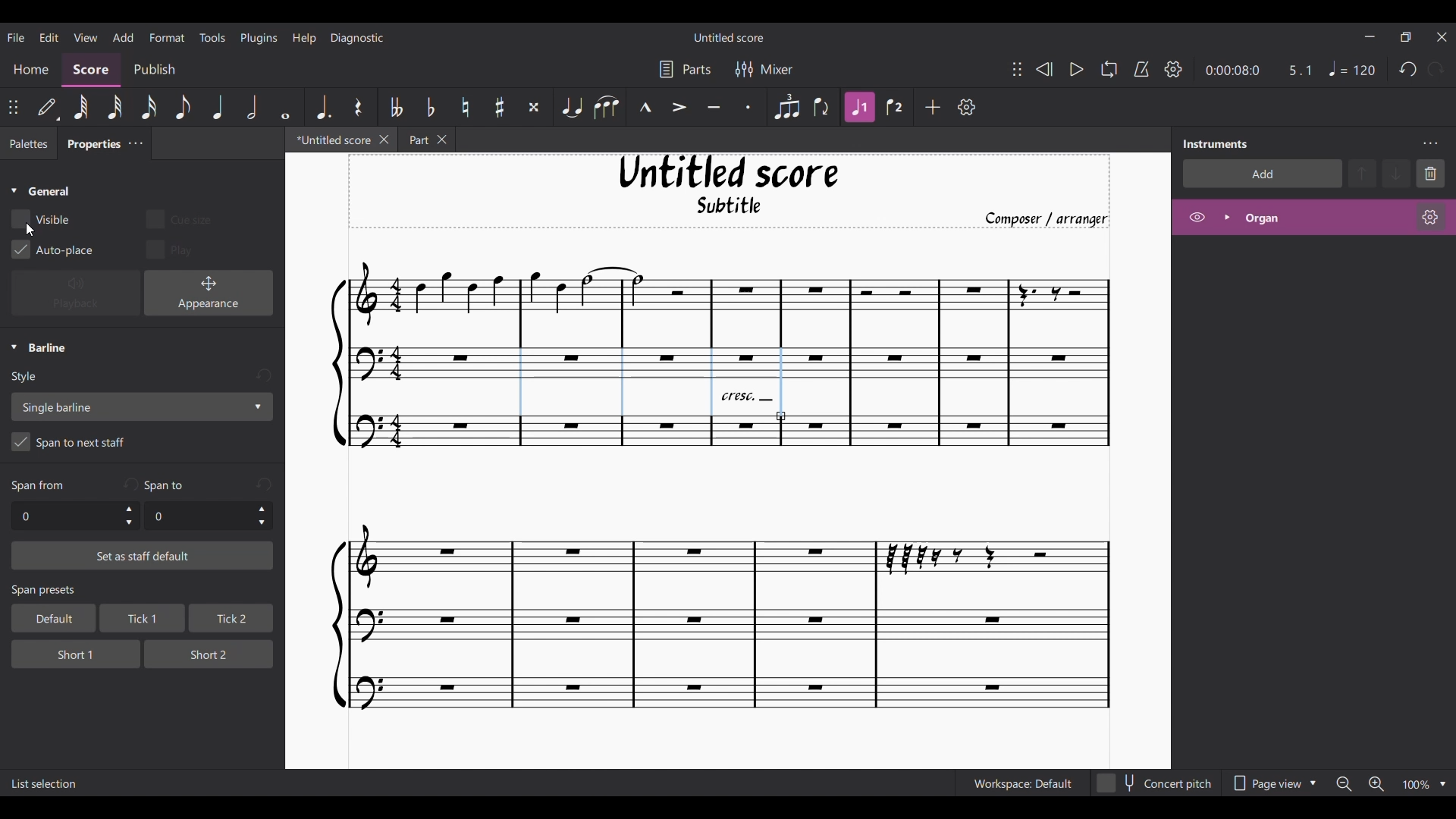 This screenshot has height=819, width=1456. Describe the element at coordinates (1431, 173) in the screenshot. I see `Delete selection` at that location.